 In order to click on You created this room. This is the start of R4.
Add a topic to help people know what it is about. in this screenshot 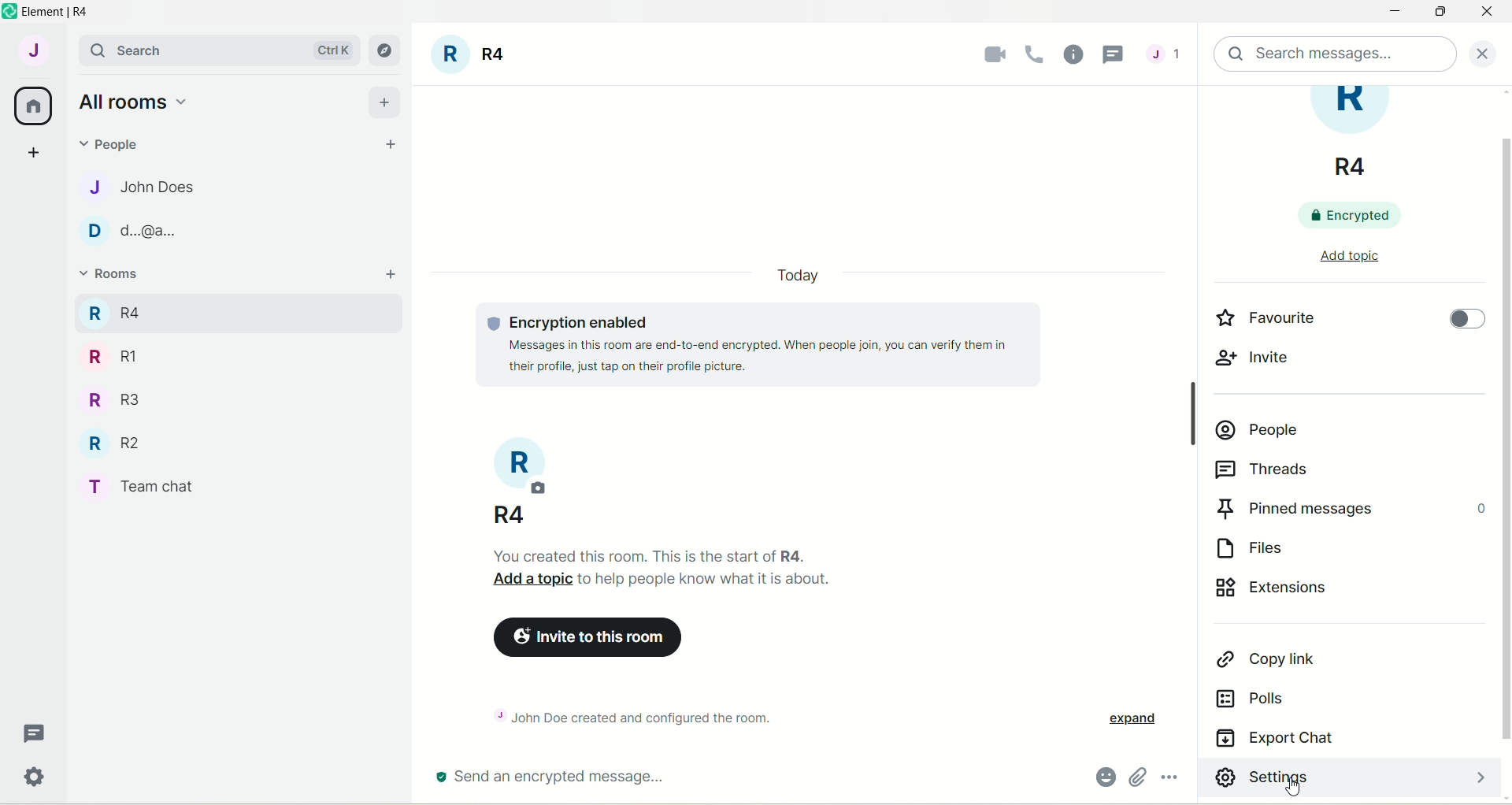, I will do `click(713, 569)`.